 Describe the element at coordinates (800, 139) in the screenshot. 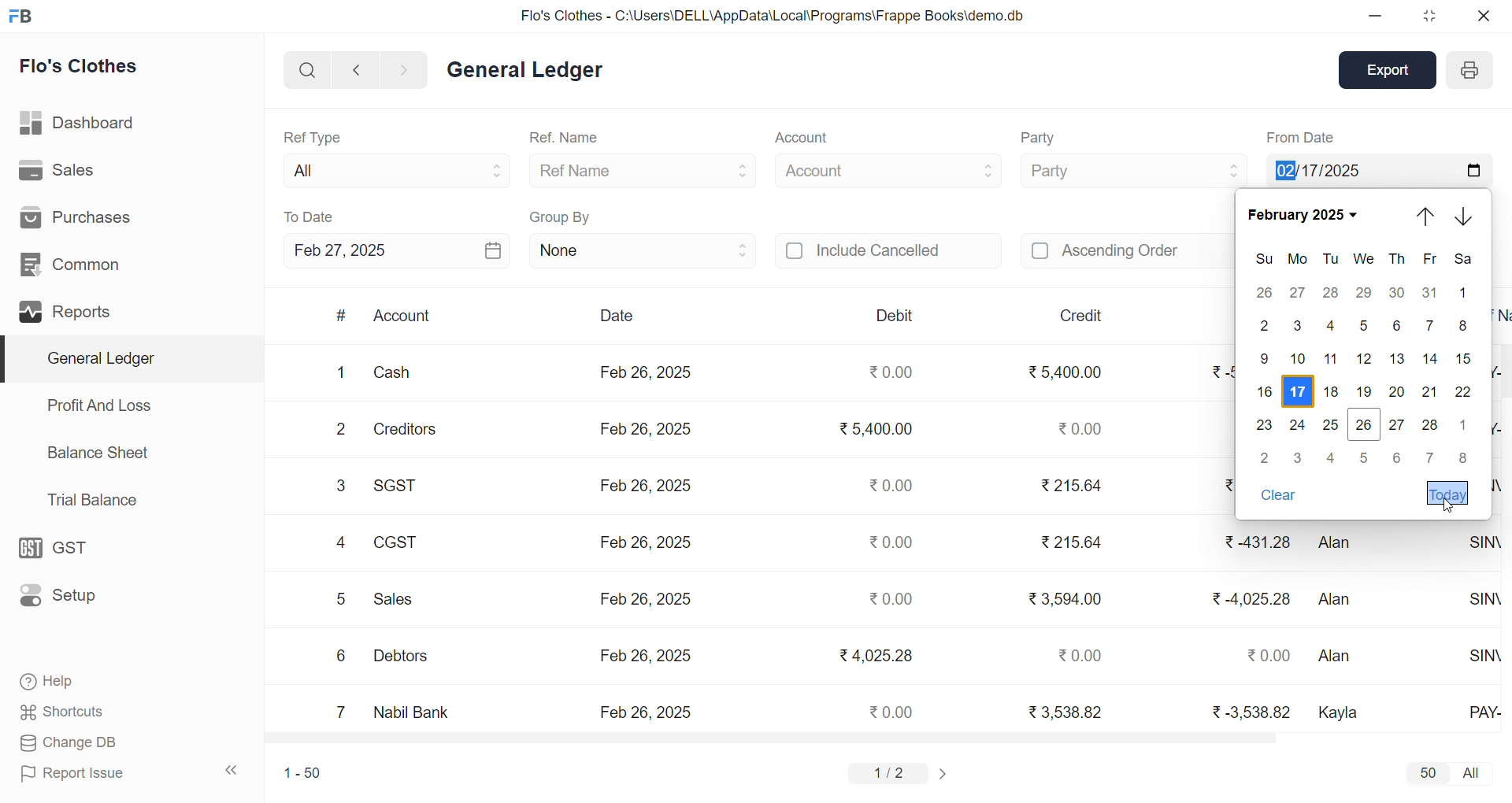

I see `Account` at that location.